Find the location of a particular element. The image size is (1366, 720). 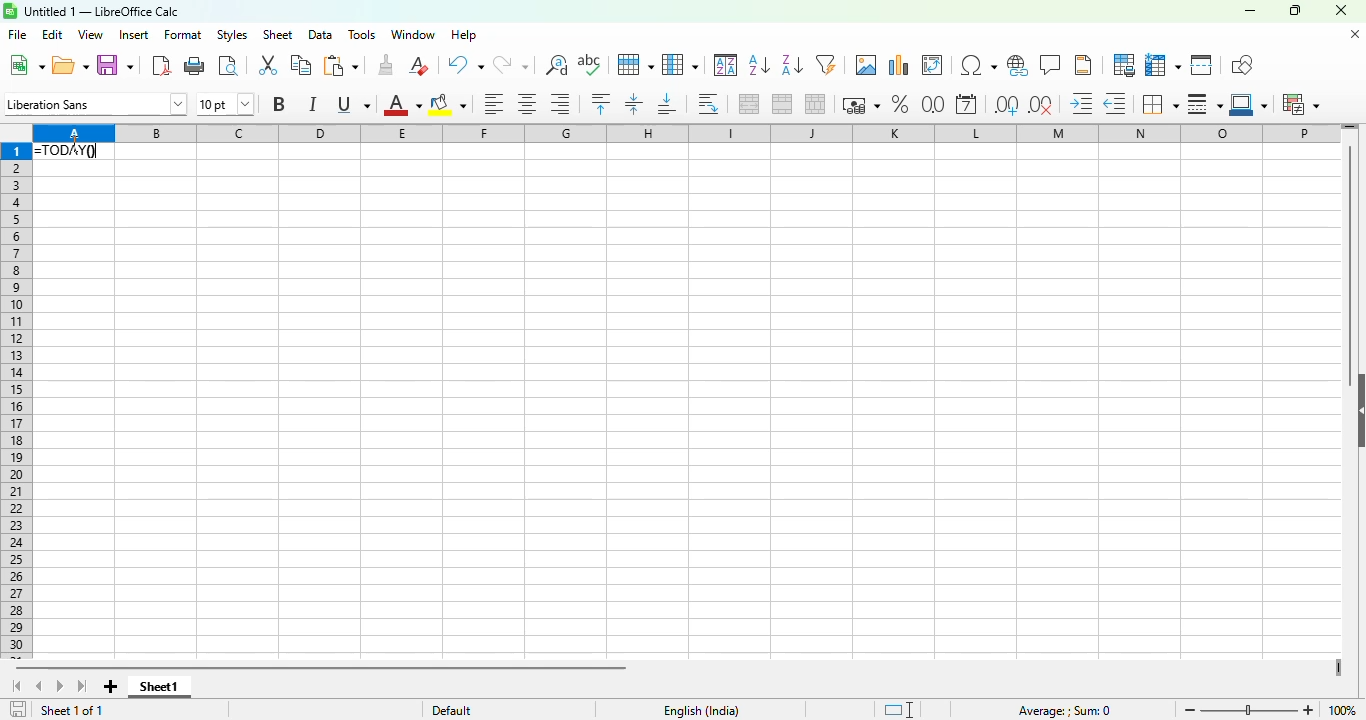

insert chart is located at coordinates (899, 65).